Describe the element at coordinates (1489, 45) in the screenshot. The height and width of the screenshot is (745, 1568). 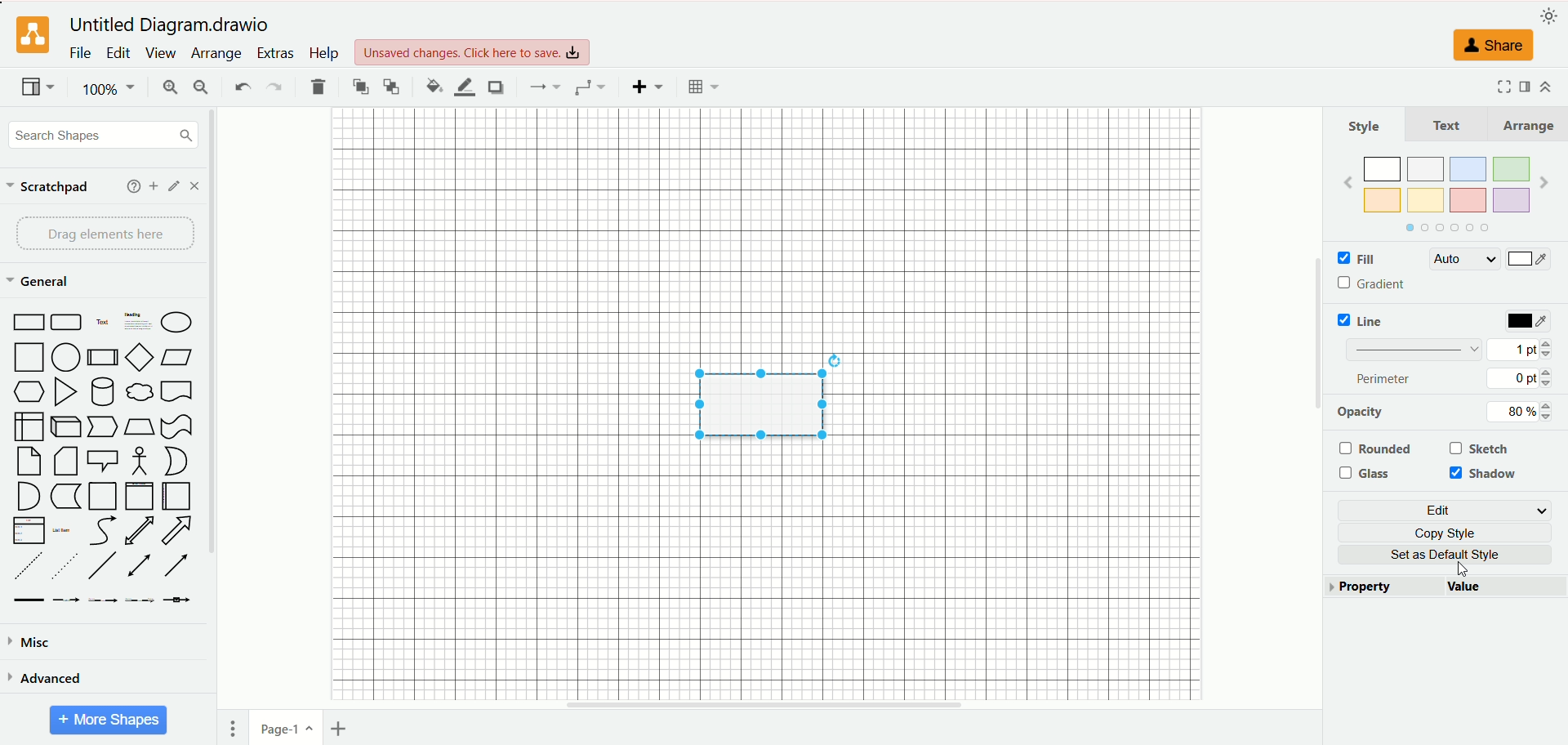
I see `share` at that location.